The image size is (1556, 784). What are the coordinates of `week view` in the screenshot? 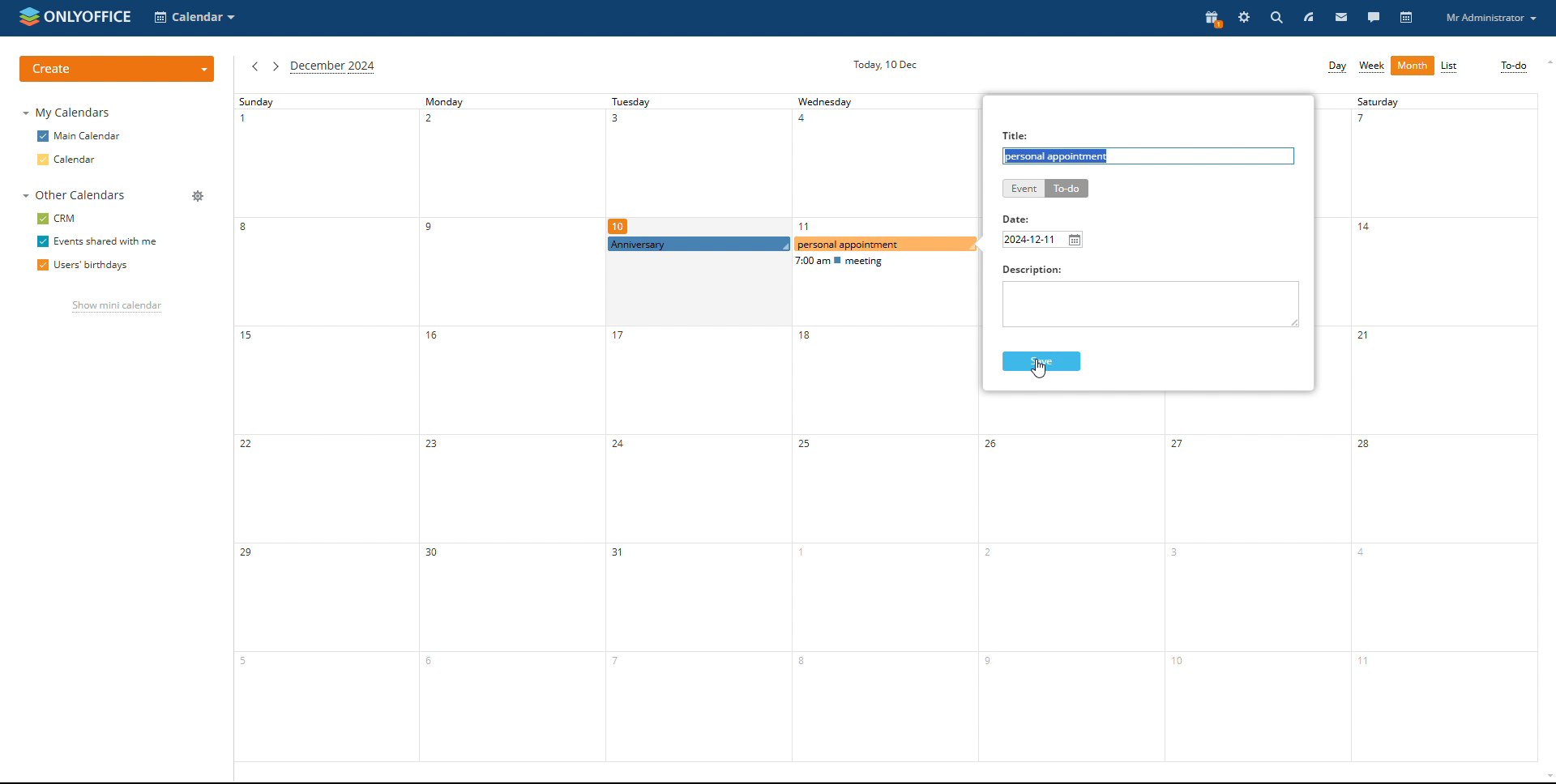 It's located at (1372, 67).